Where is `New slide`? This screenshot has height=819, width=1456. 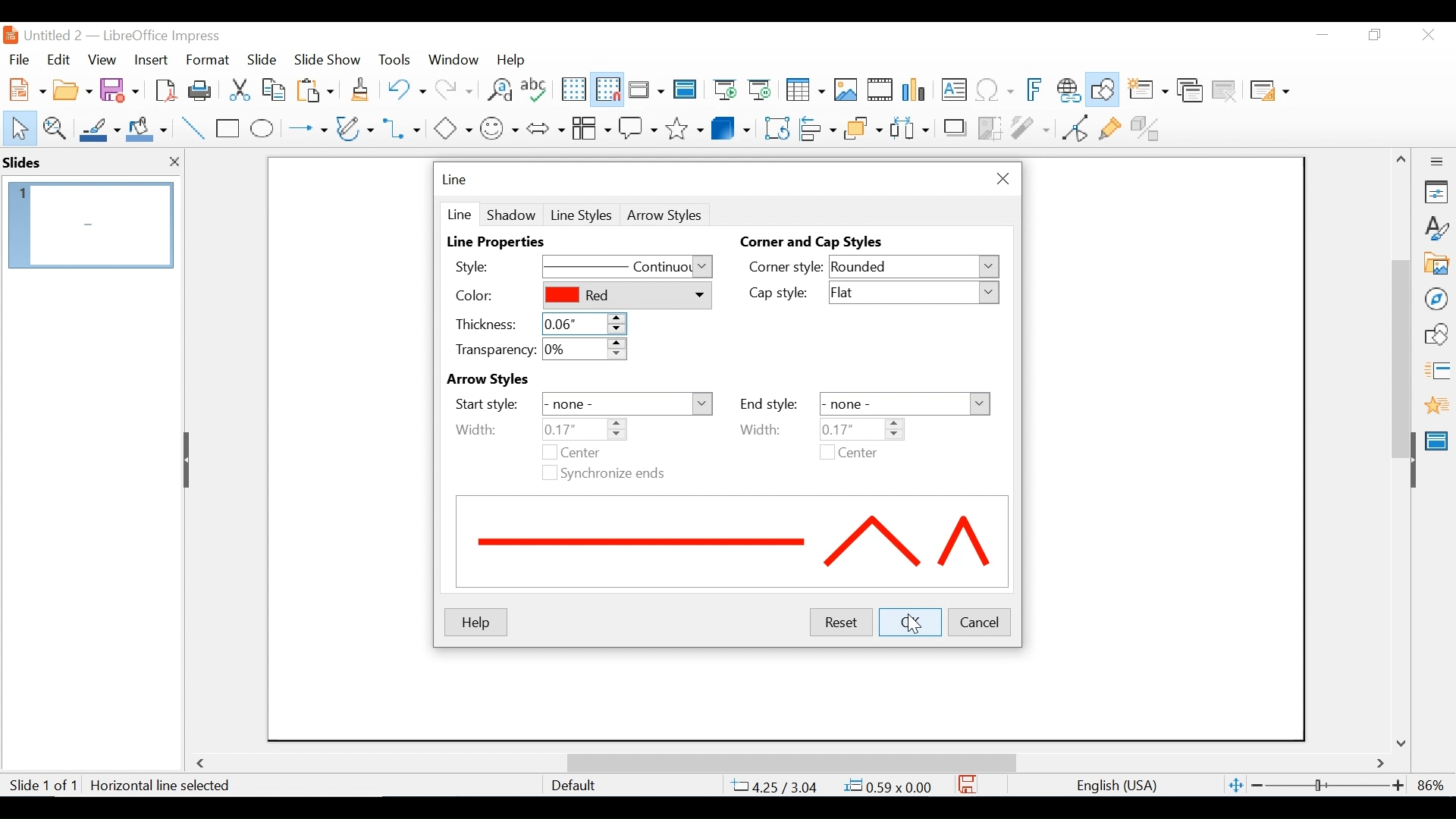
New slide is located at coordinates (1147, 91).